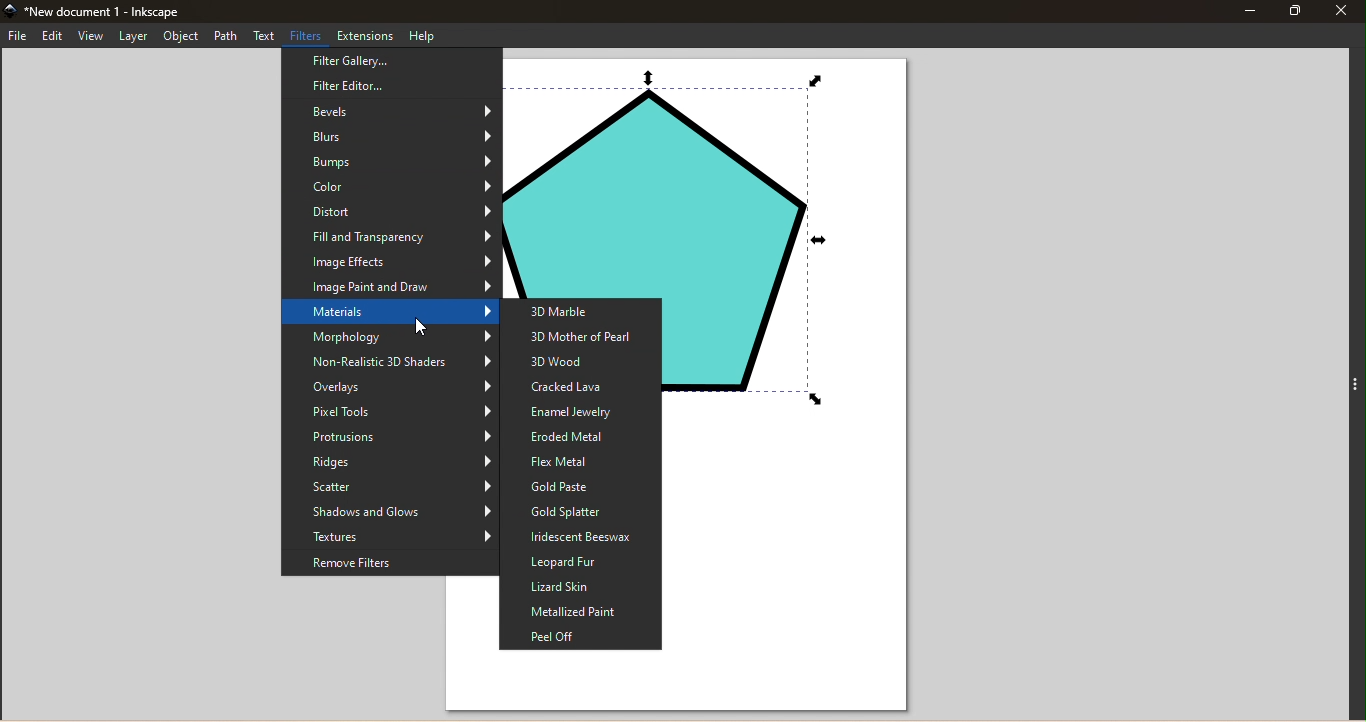  I want to click on Eroded Metal, so click(580, 437).